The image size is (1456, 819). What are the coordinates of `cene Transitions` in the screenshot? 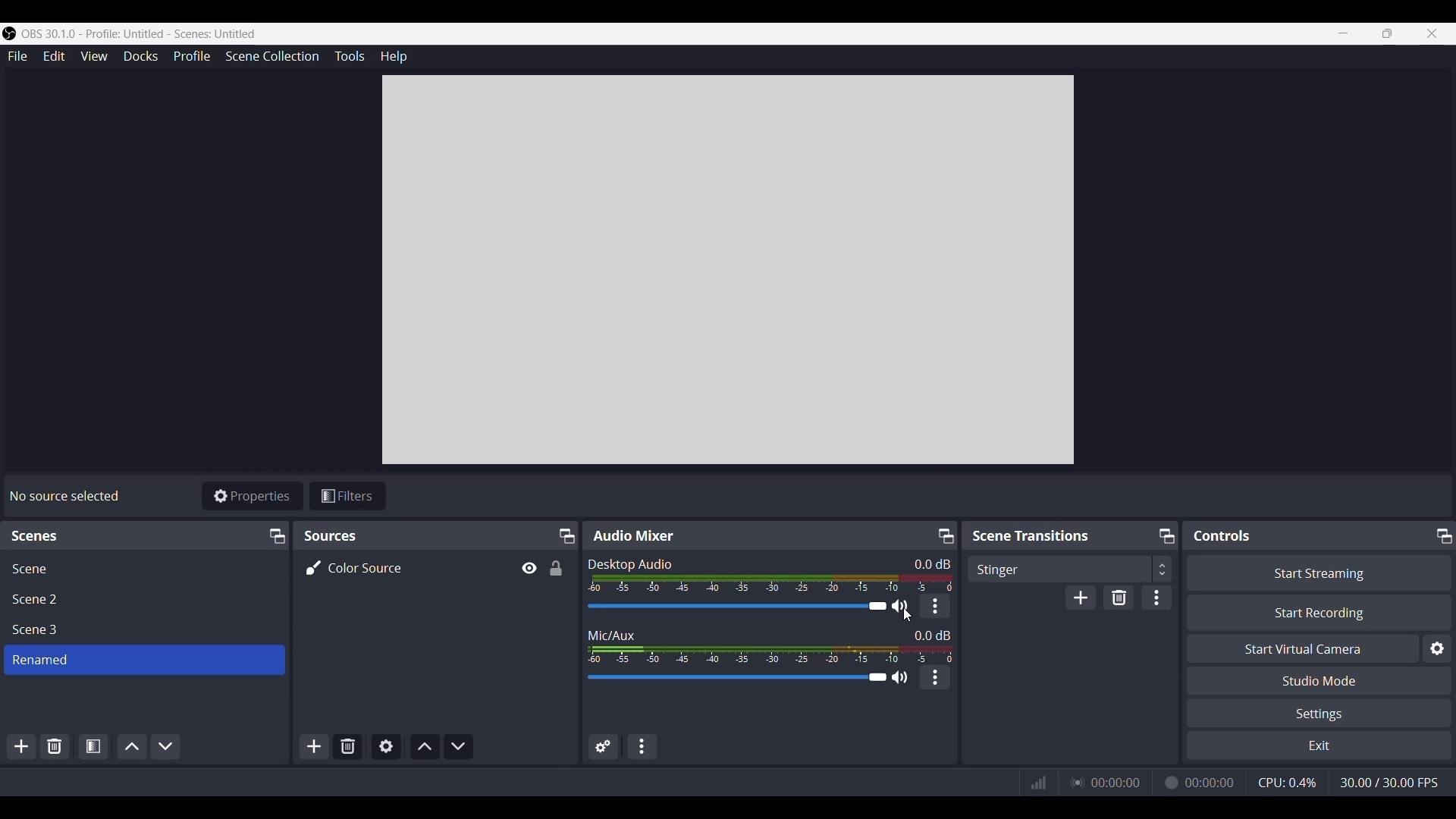 It's located at (1034, 536).